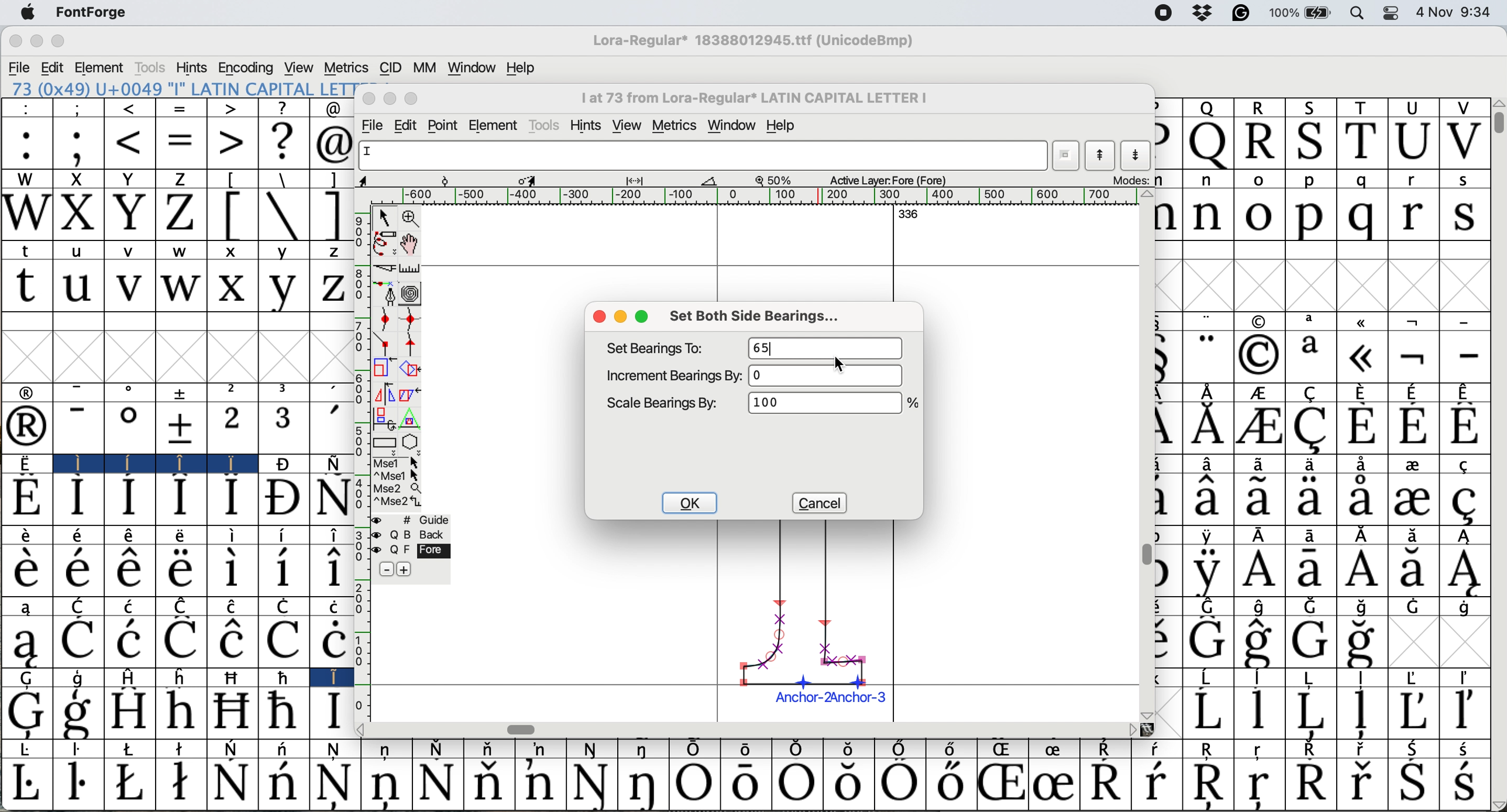 The image size is (1507, 812). Describe the element at coordinates (80, 750) in the screenshot. I see `Symbol` at that location.